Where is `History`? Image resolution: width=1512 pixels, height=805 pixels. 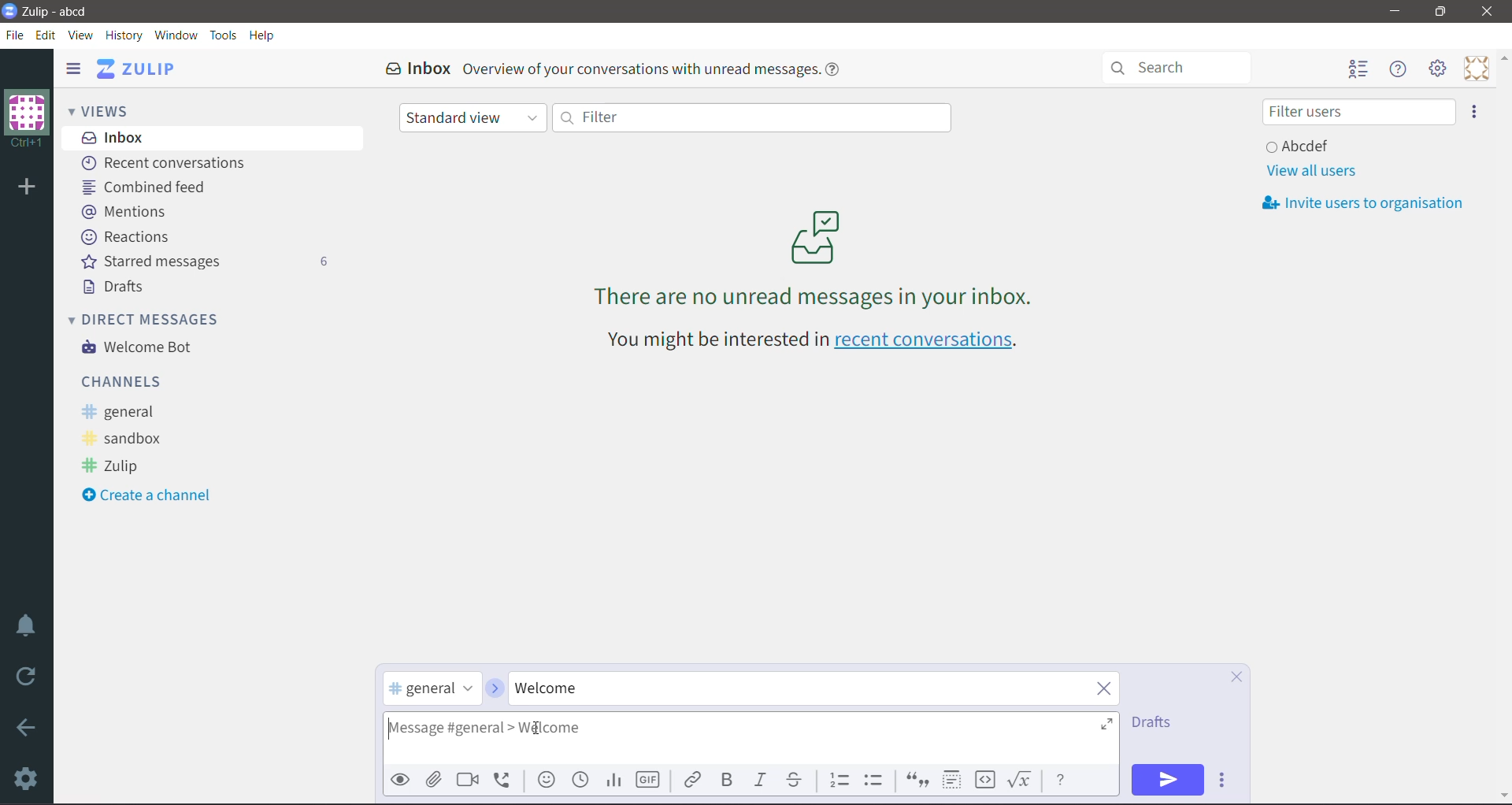
History is located at coordinates (125, 36).